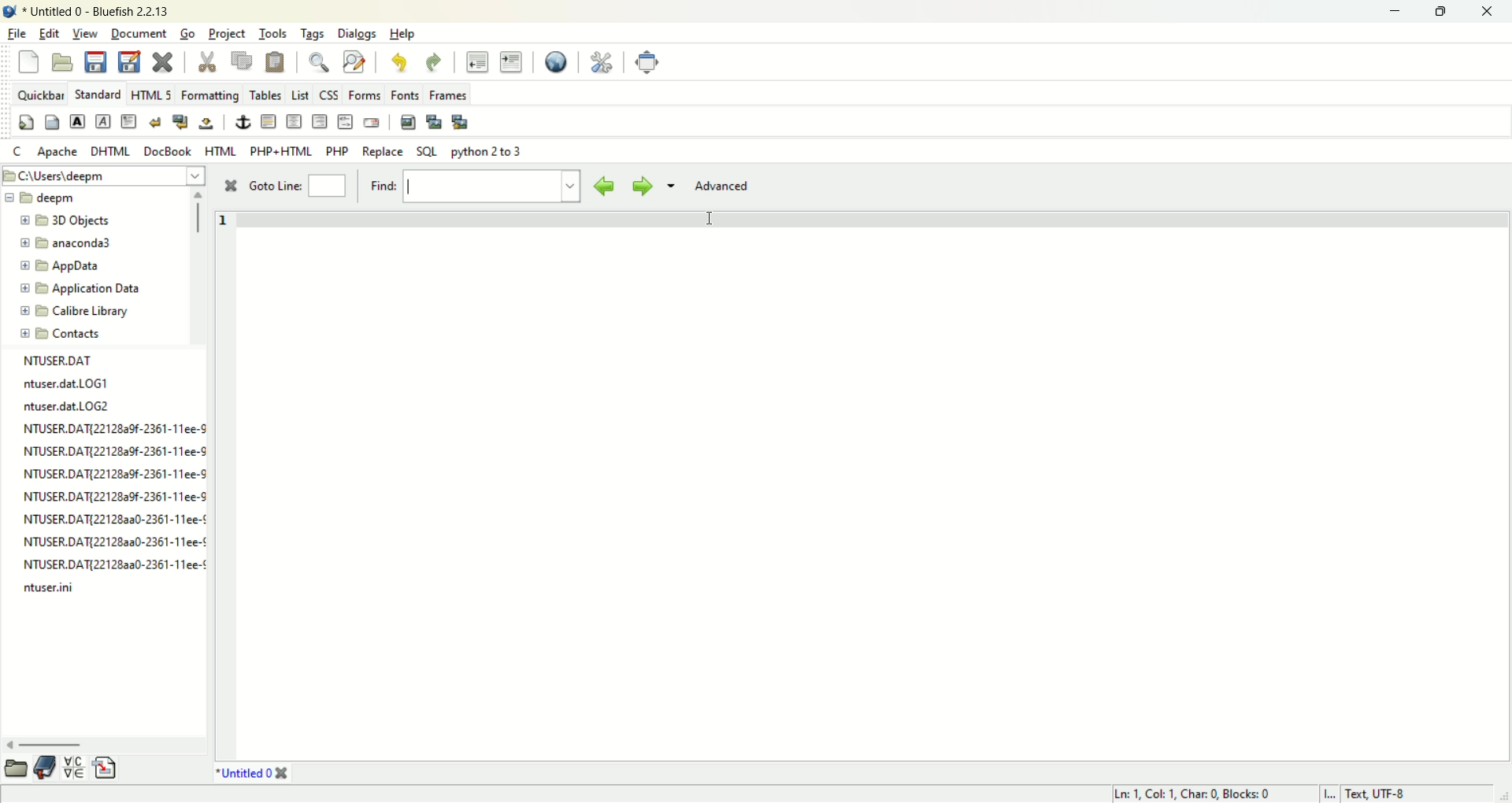 This screenshot has width=1512, height=803. Describe the element at coordinates (339, 149) in the screenshot. I see `PHP` at that location.